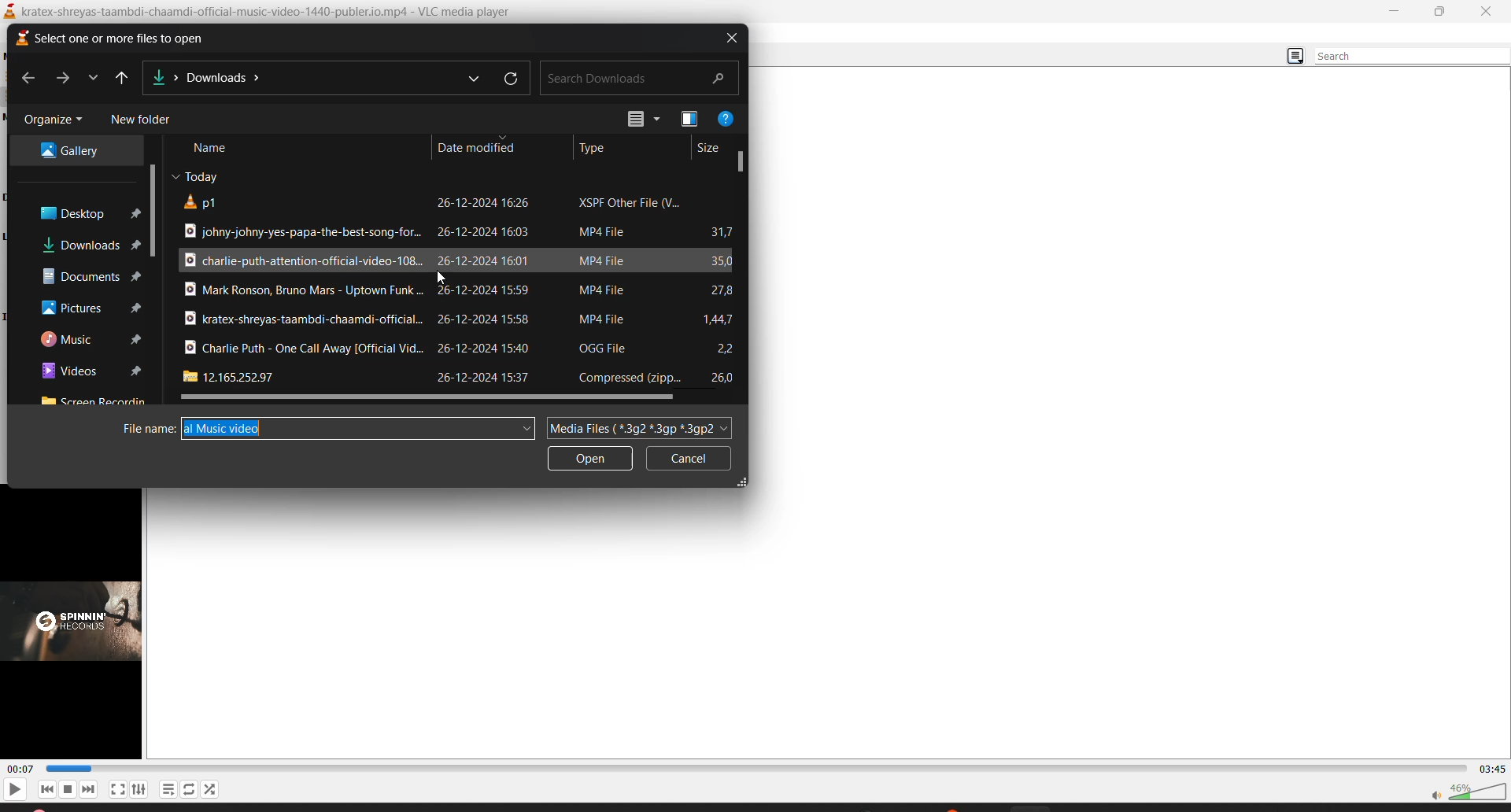 Image resolution: width=1511 pixels, height=812 pixels. What do you see at coordinates (217, 178) in the screenshot?
I see `Today` at bounding box center [217, 178].